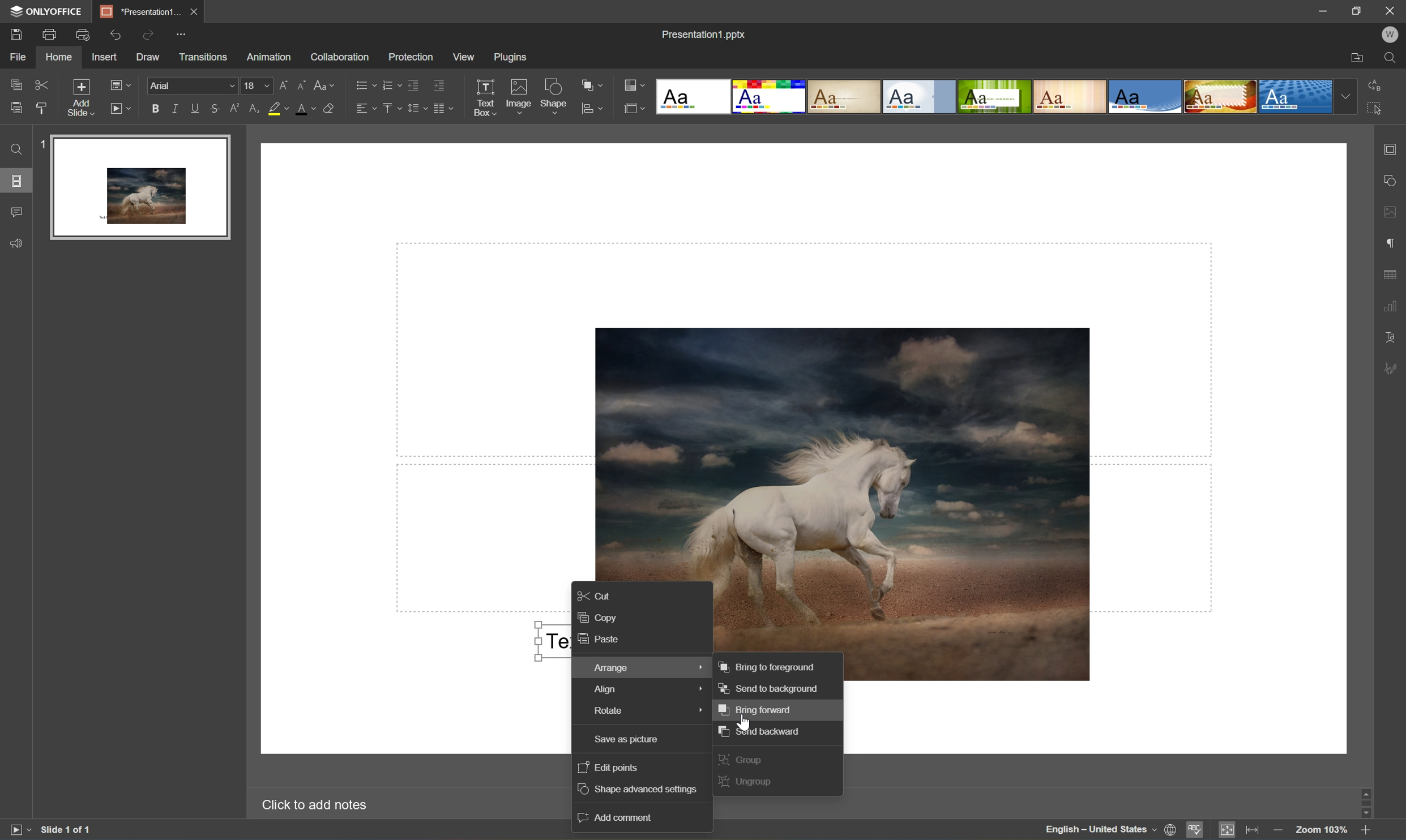 The height and width of the screenshot is (840, 1406). Describe the element at coordinates (175, 109) in the screenshot. I see `Italic` at that location.